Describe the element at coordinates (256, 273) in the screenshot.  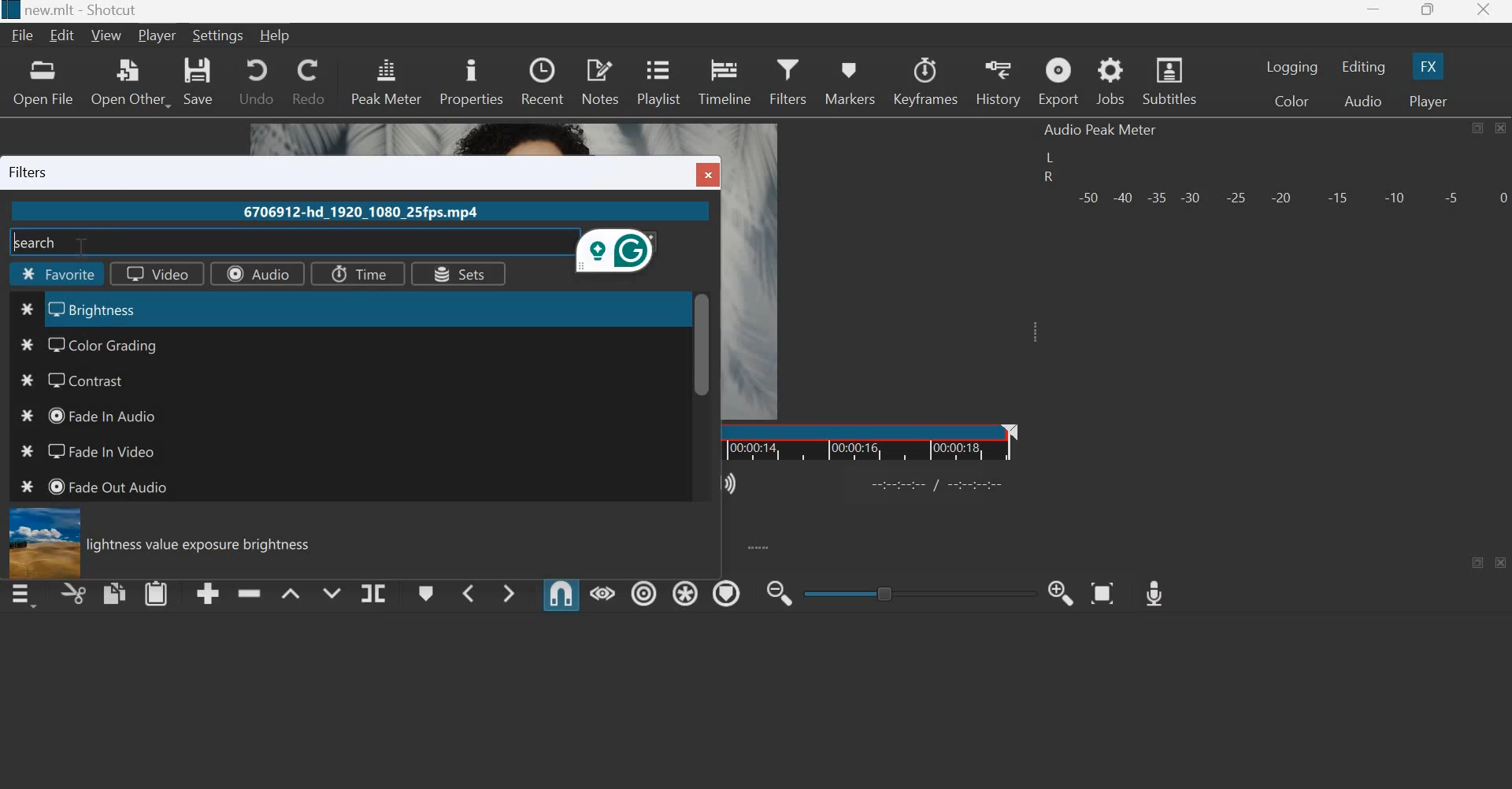
I see `Audio` at that location.